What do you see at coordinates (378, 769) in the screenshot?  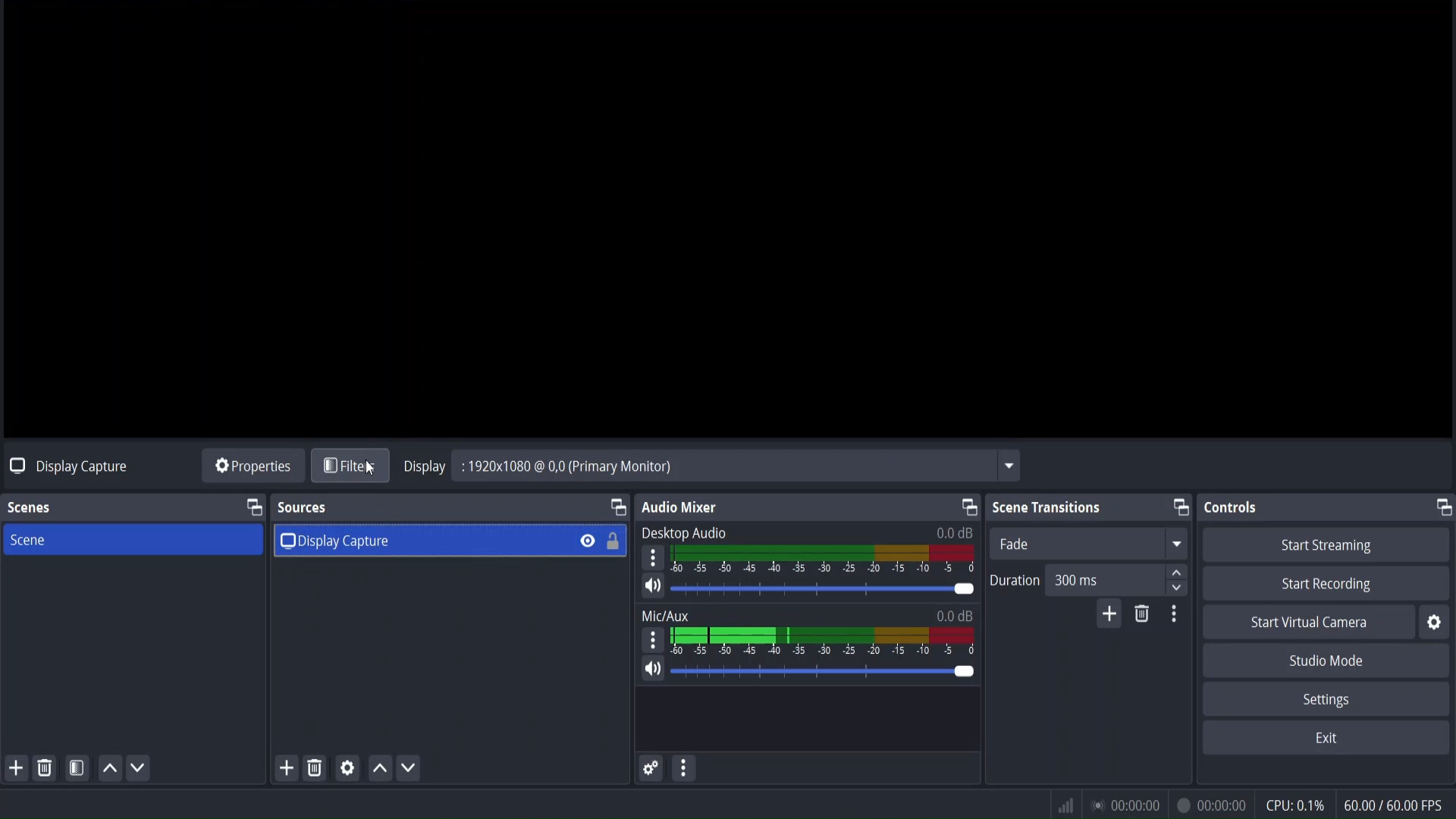 I see `move source up` at bounding box center [378, 769].